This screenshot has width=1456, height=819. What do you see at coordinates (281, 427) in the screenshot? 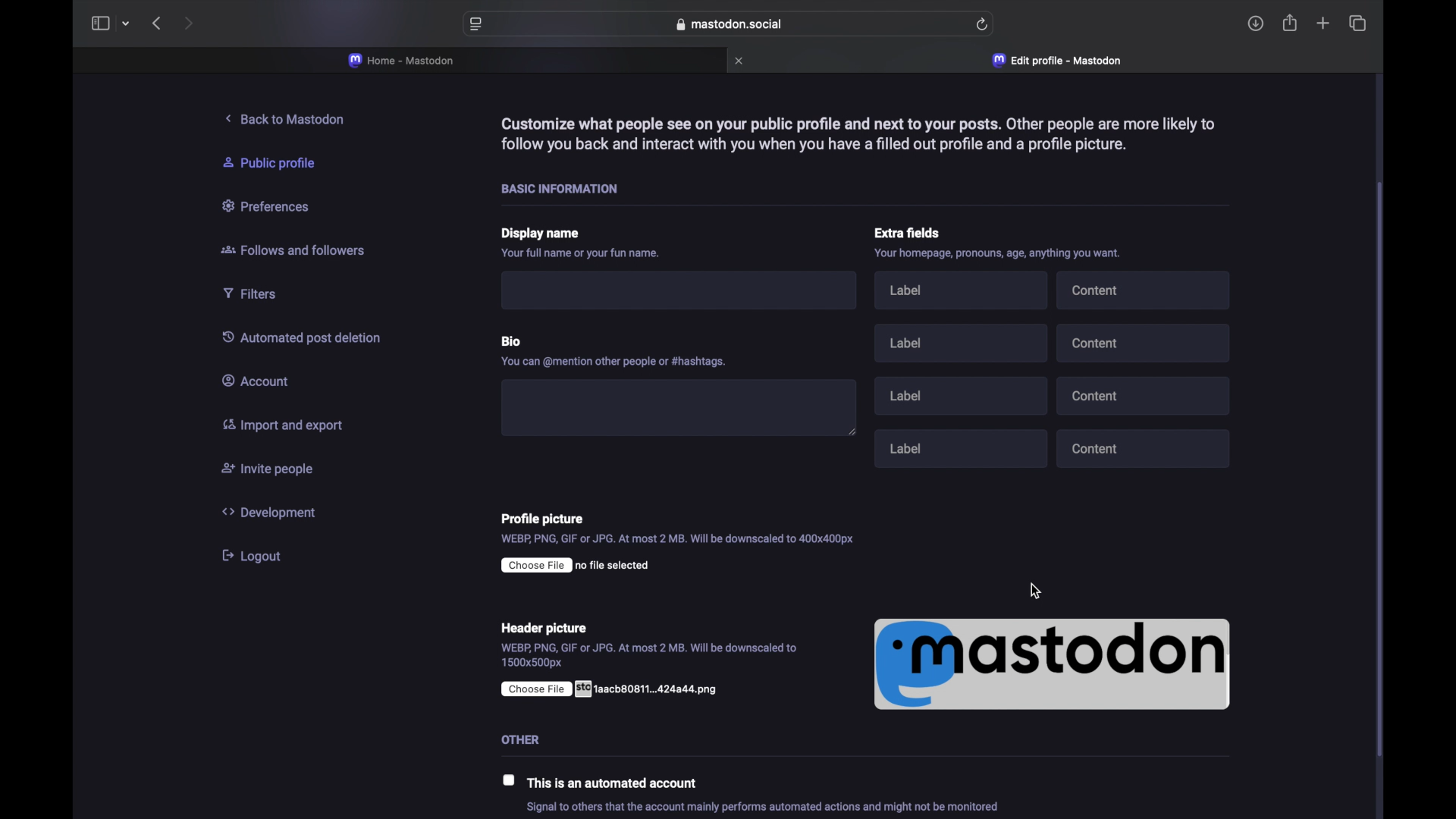
I see `import and export` at bounding box center [281, 427].